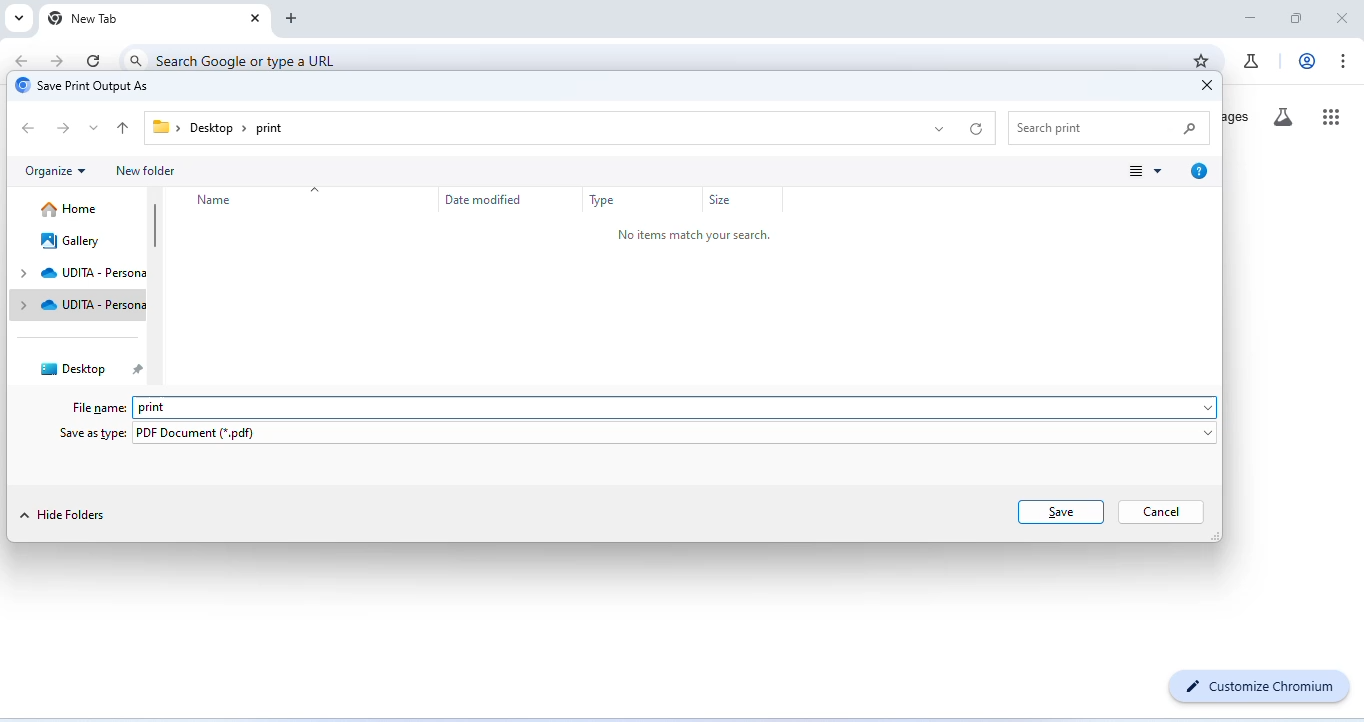 Image resolution: width=1364 pixels, height=722 pixels. I want to click on customize and control chromium, so click(1345, 61).